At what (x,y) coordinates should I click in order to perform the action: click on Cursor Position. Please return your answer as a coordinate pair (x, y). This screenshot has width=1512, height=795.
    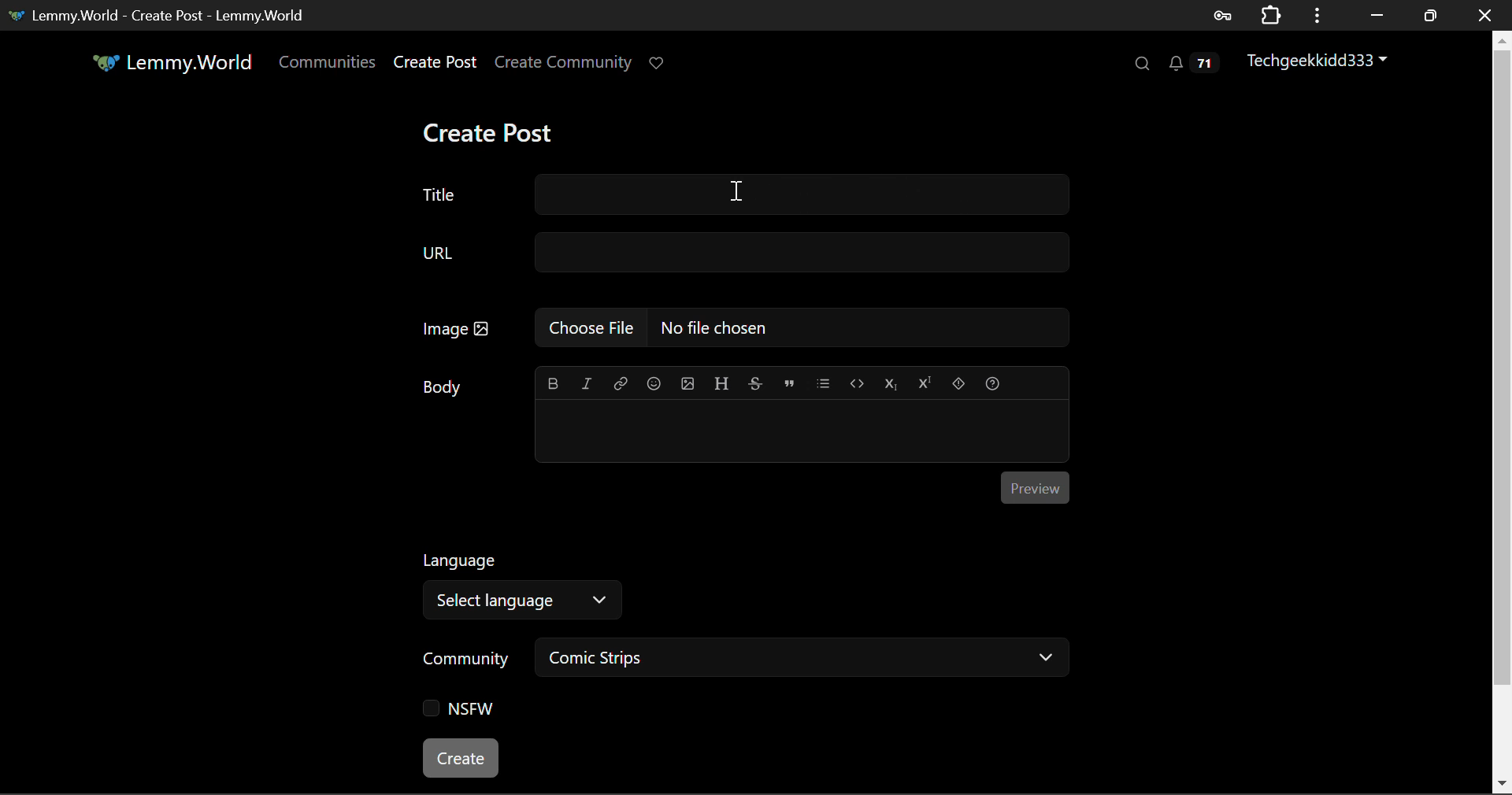
    Looking at the image, I should click on (740, 192).